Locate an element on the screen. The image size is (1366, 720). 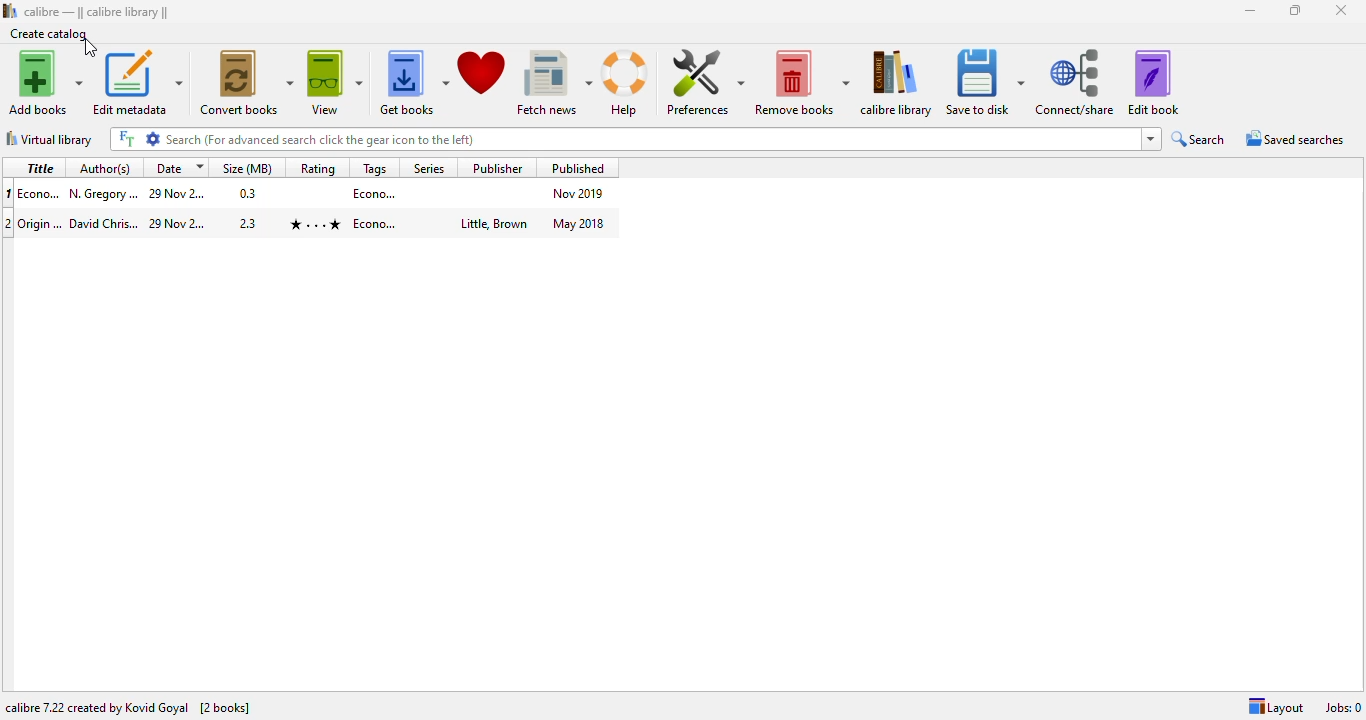
size(MB) is located at coordinates (248, 169).